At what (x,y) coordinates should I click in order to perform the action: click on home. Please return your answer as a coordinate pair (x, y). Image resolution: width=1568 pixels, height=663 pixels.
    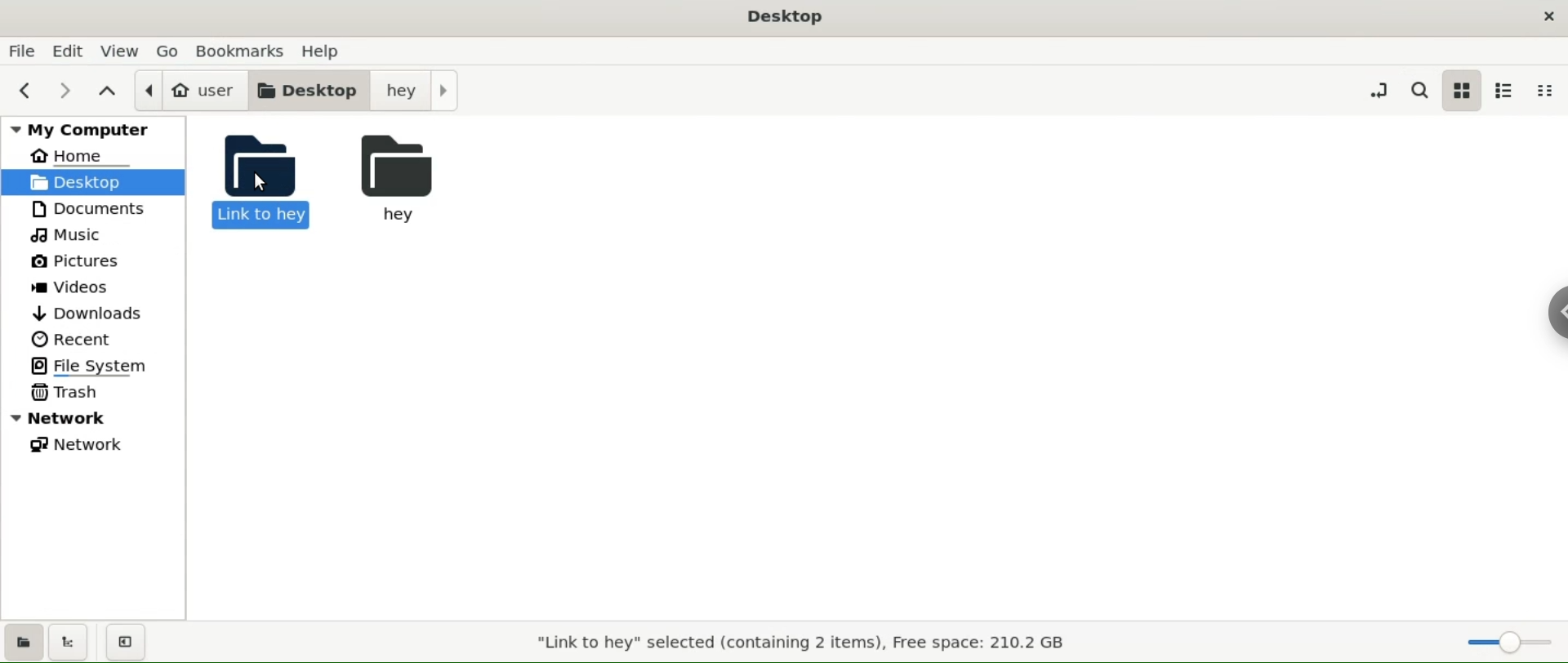
    Looking at the image, I should click on (66, 156).